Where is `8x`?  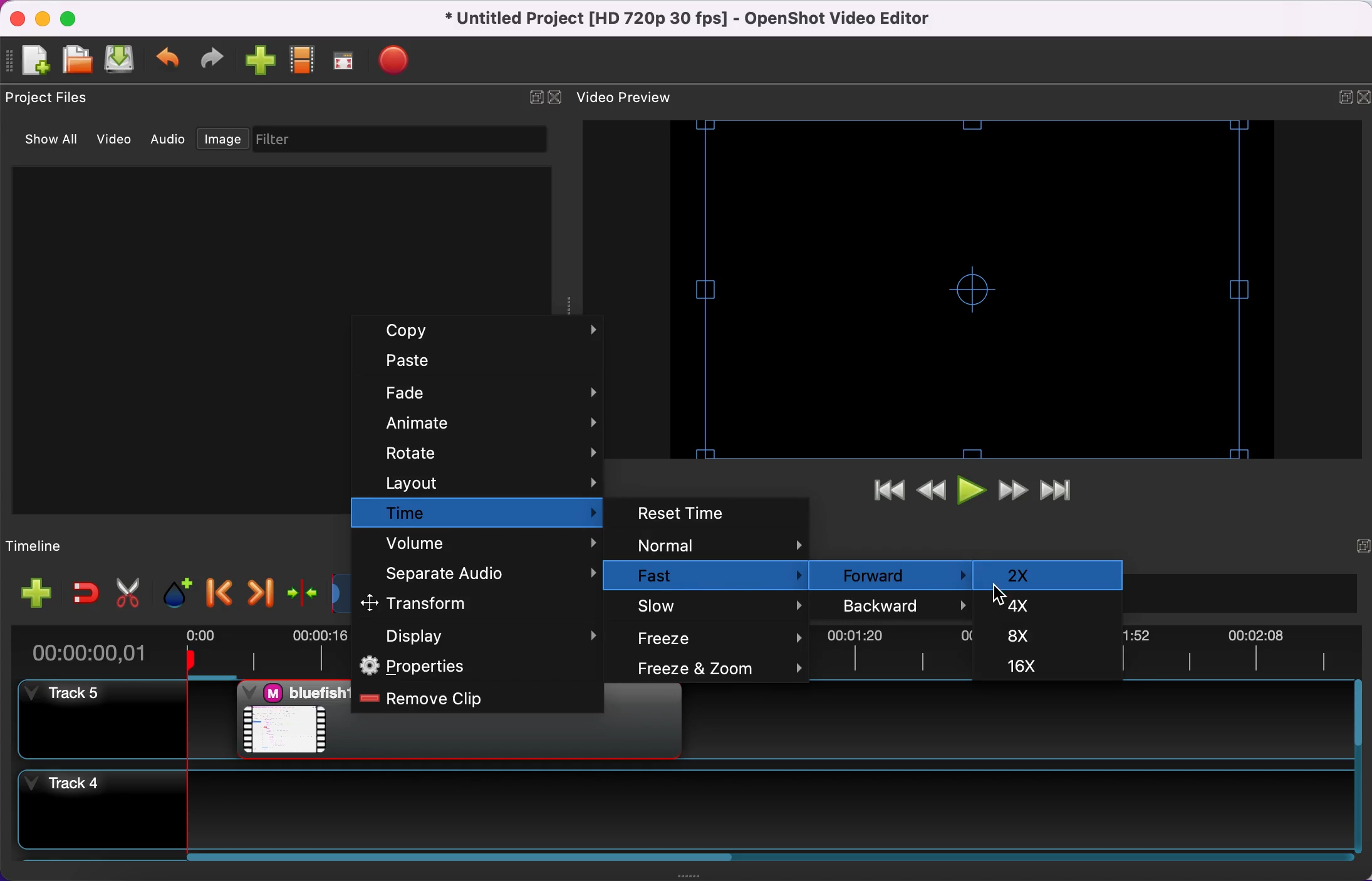 8x is located at coordinates (1040, 633).